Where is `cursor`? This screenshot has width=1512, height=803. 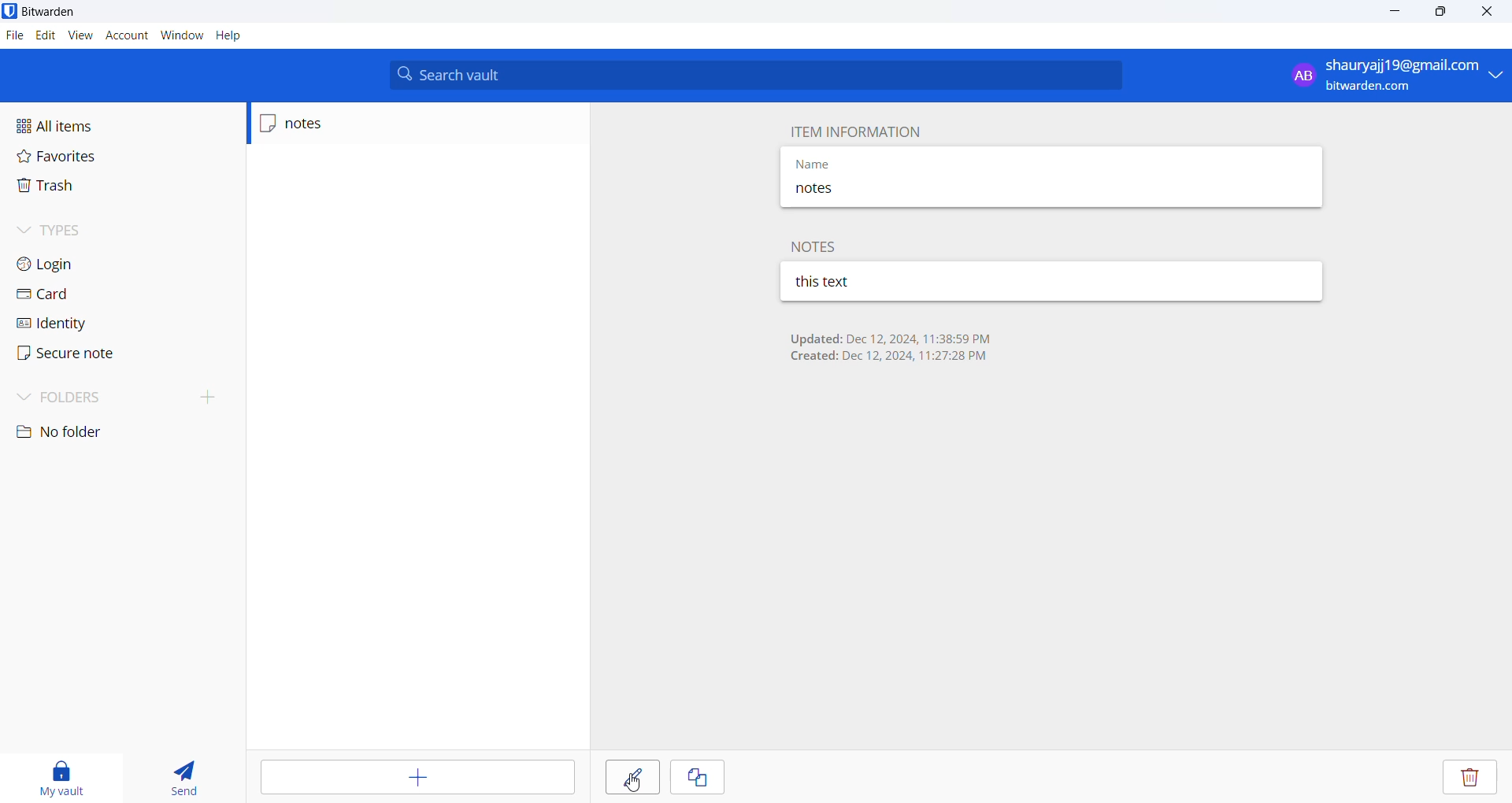
cursor is located at coordinates (632, 783).